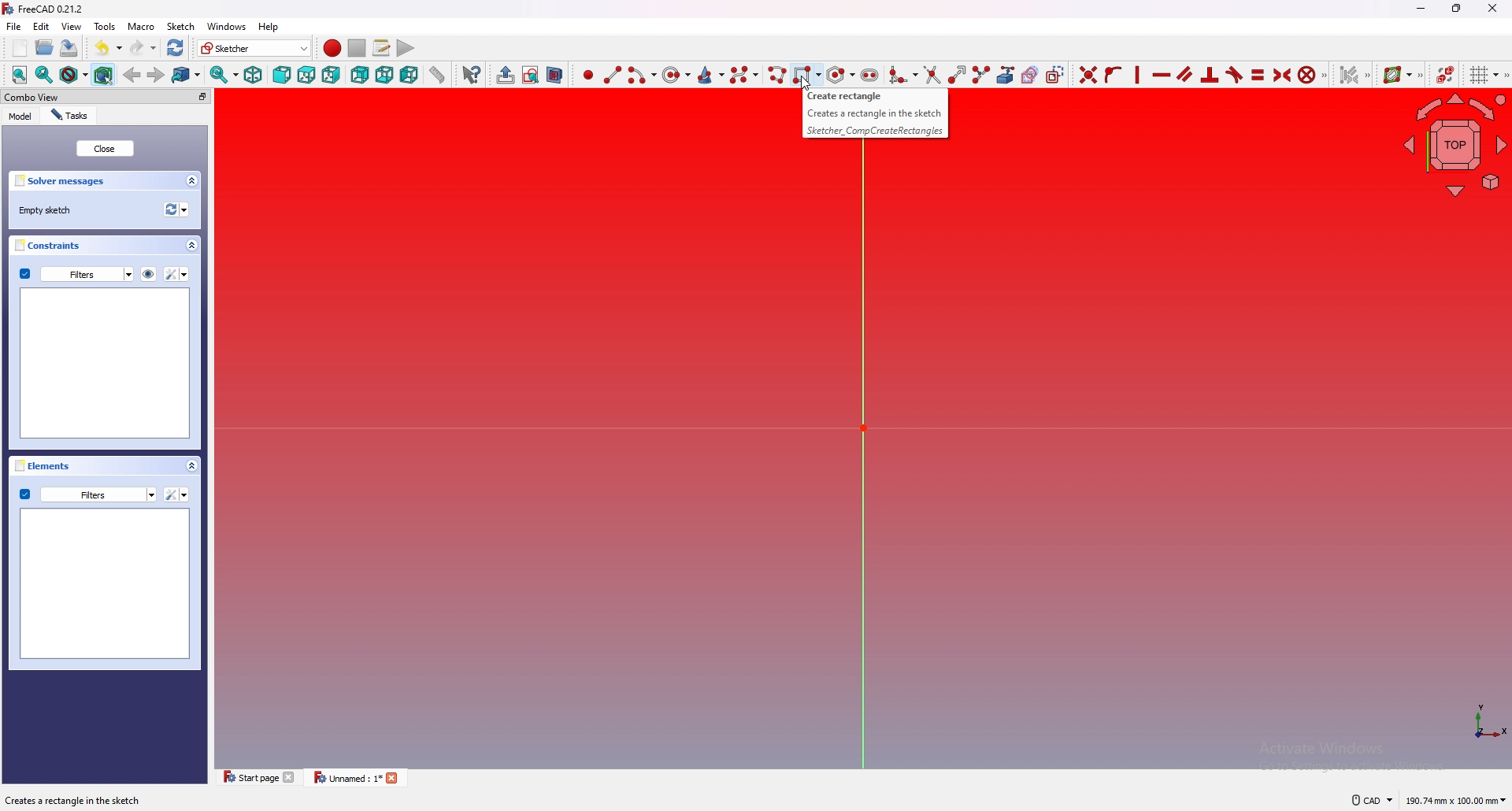 This screenshot has height=811, width=1512. I want to click on create rectangle, so click(807, 74).